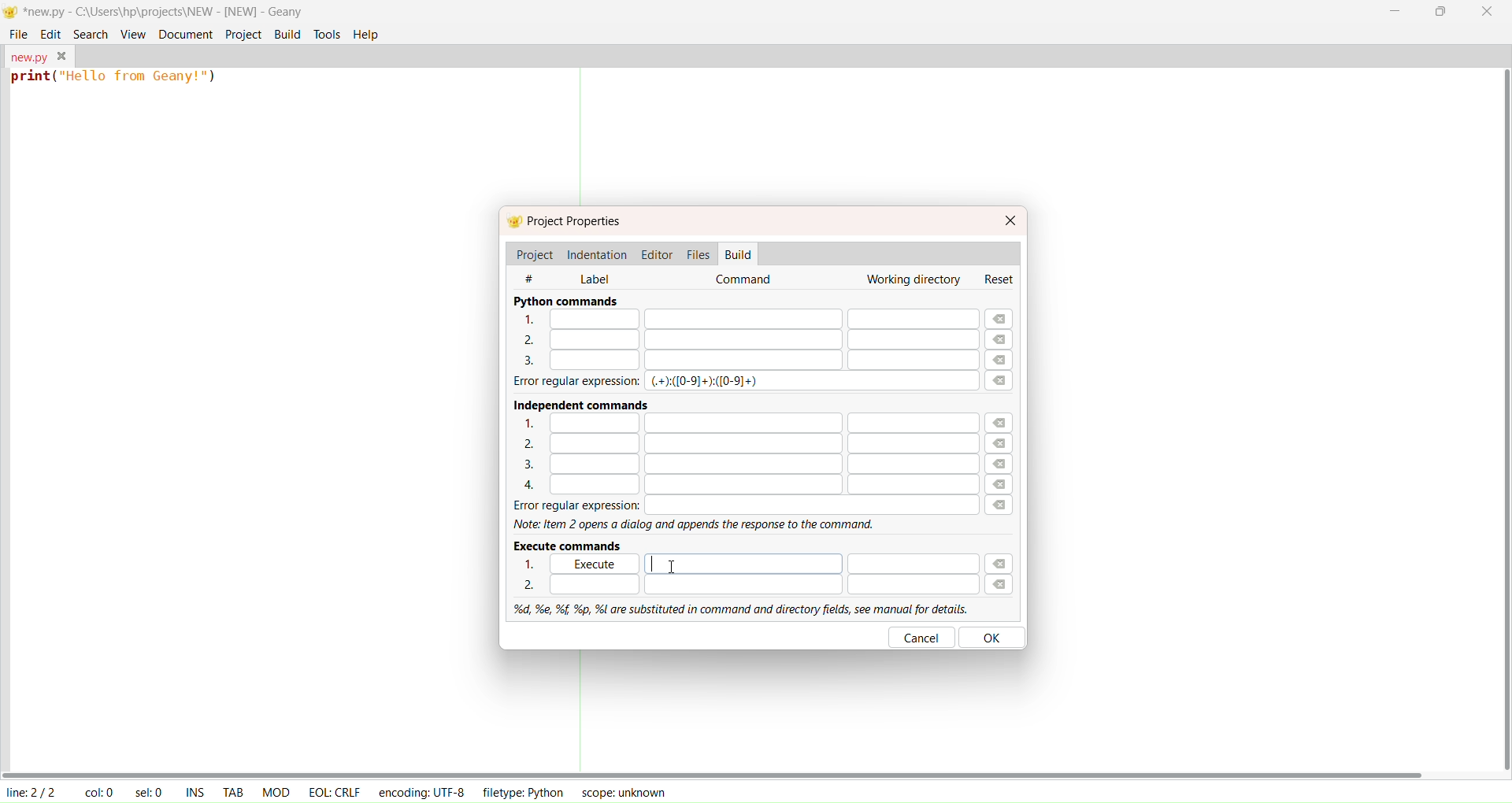 The image size is (1512, 803). Describe the element at coordinates (738, 465) in the screenshot. I see `3.` at that location.